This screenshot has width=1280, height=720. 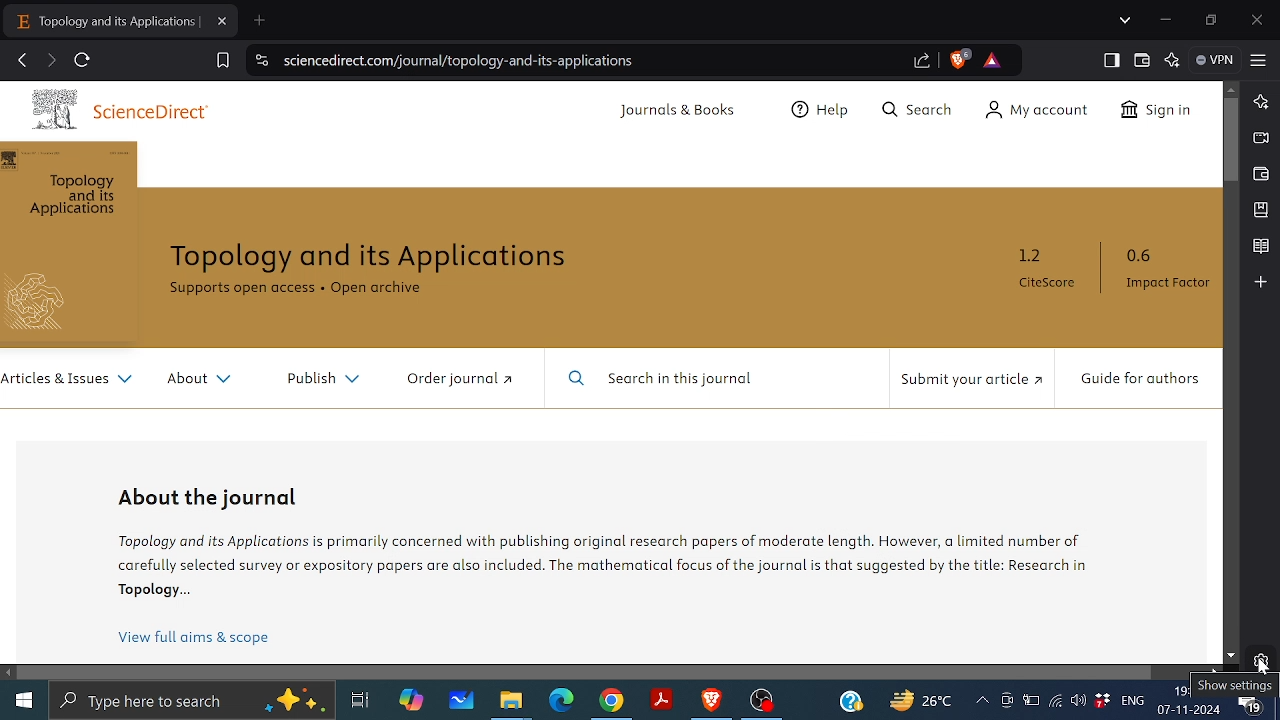 What do you see at coordinates (1168, 283) in the screenshot?
I see `Impact Factor` at bounding box center [1168, 283].